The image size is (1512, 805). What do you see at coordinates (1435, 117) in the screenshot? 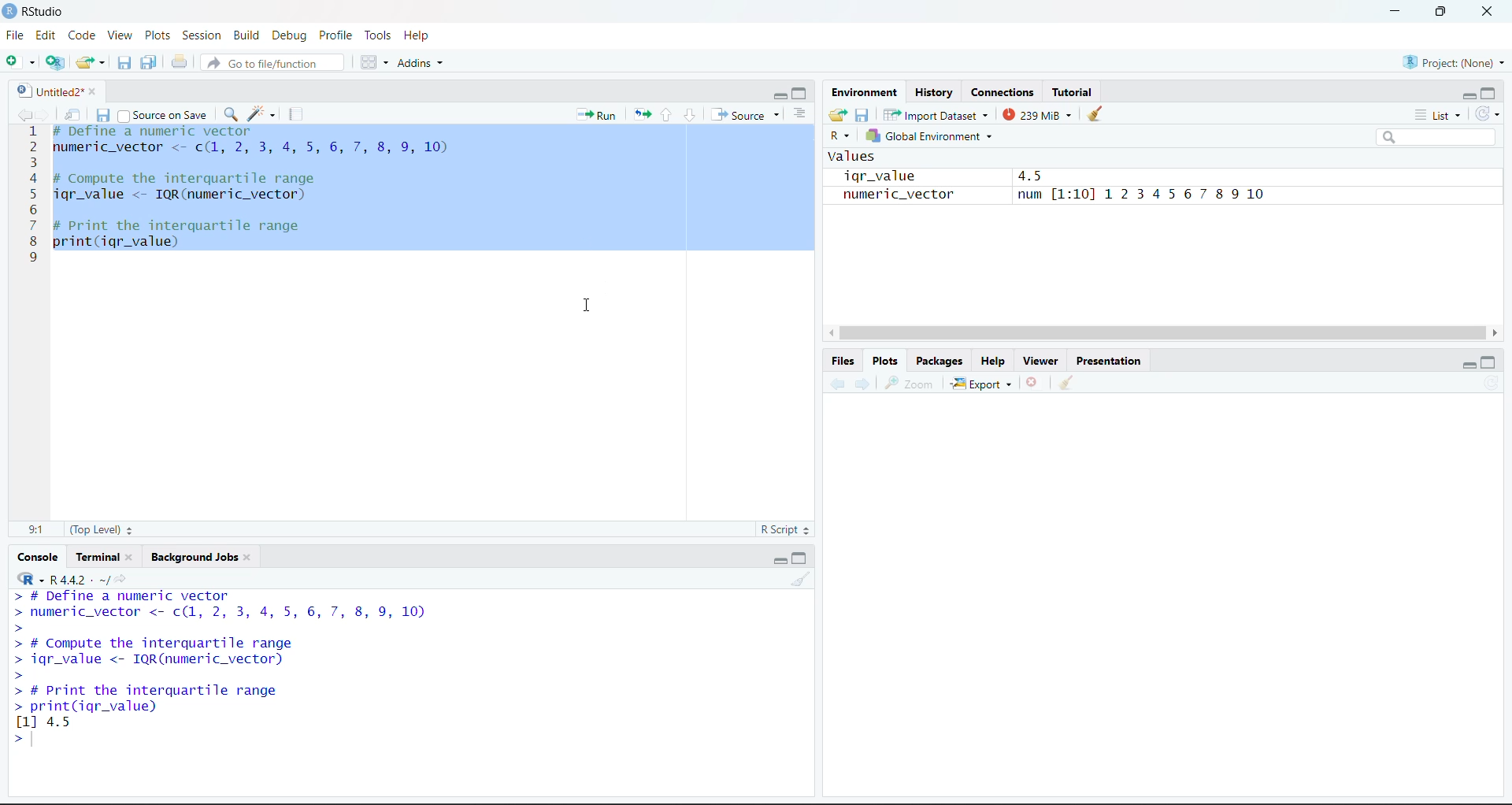
I see `List` at bounding box center [1435, 117].